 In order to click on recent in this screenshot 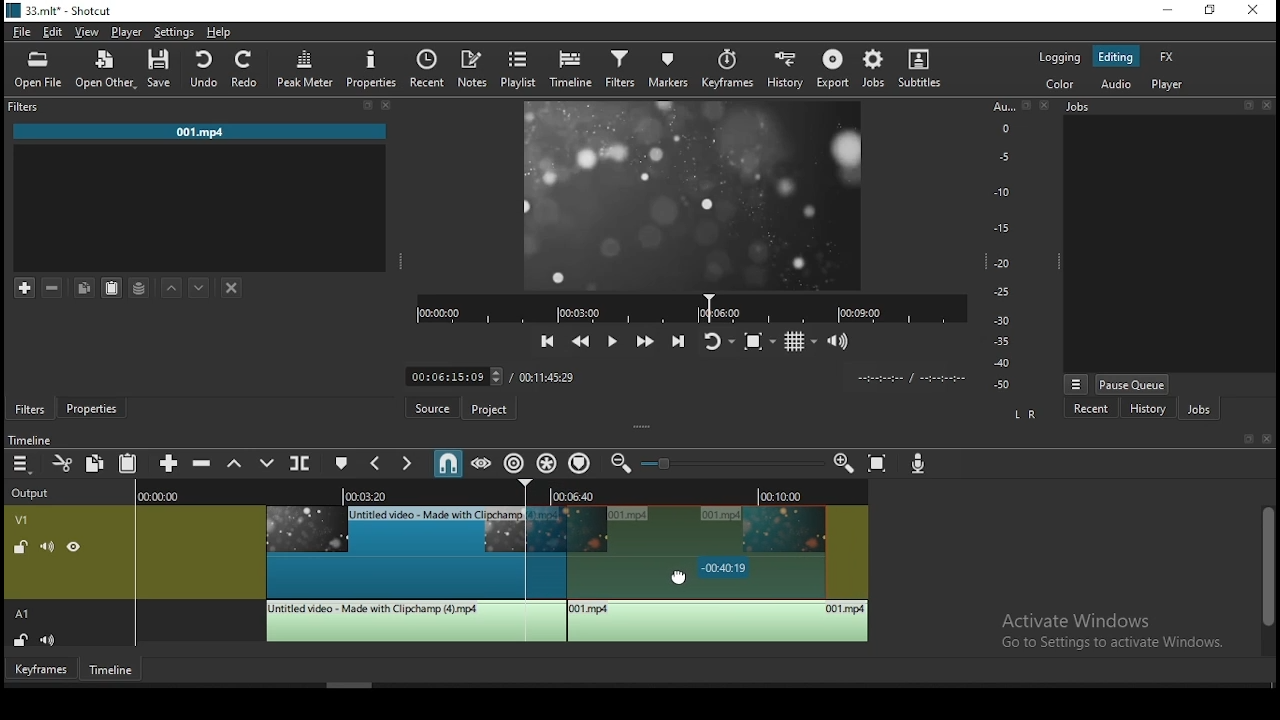, I will do `click(1091, 409)`.